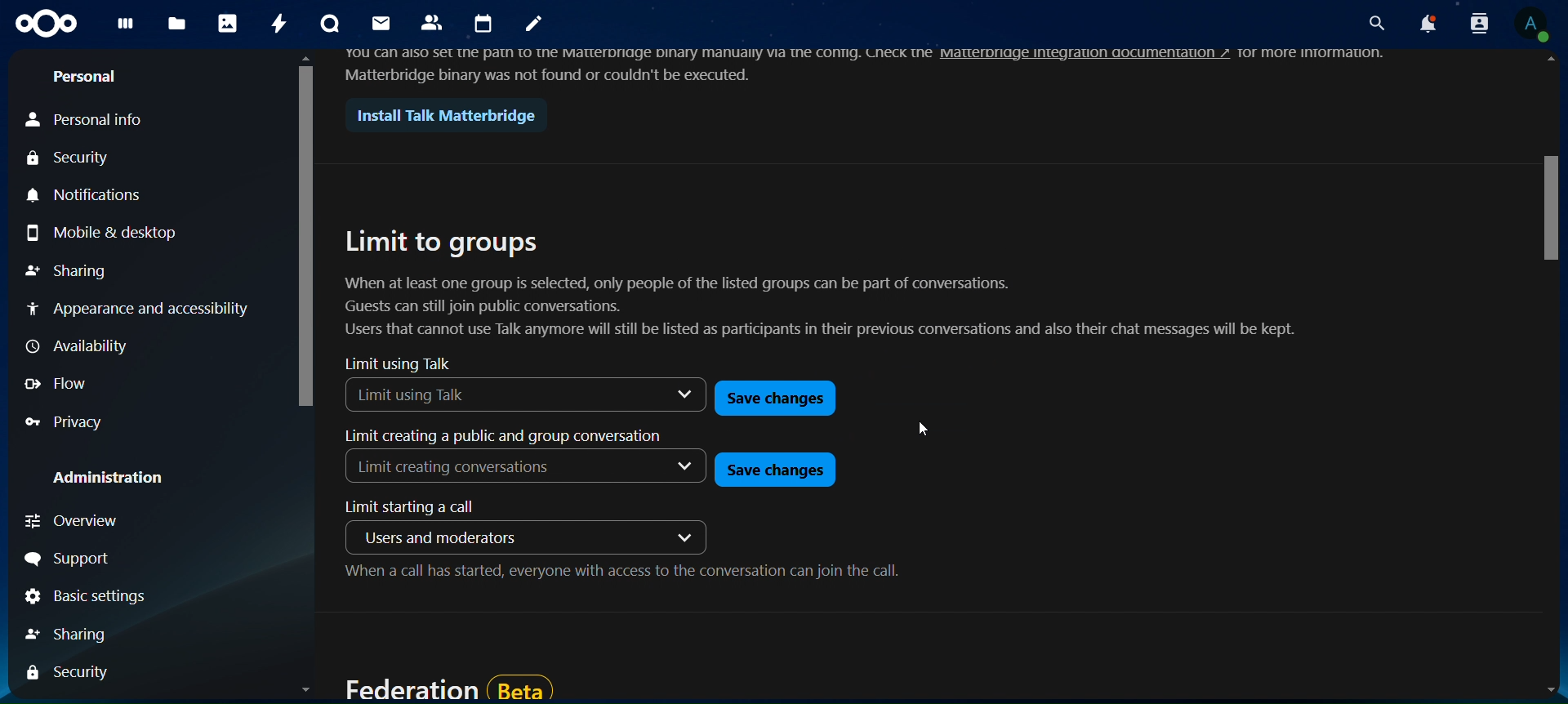 The image size is (1568, 704). I want to click on view profile, so click(1530, 24).